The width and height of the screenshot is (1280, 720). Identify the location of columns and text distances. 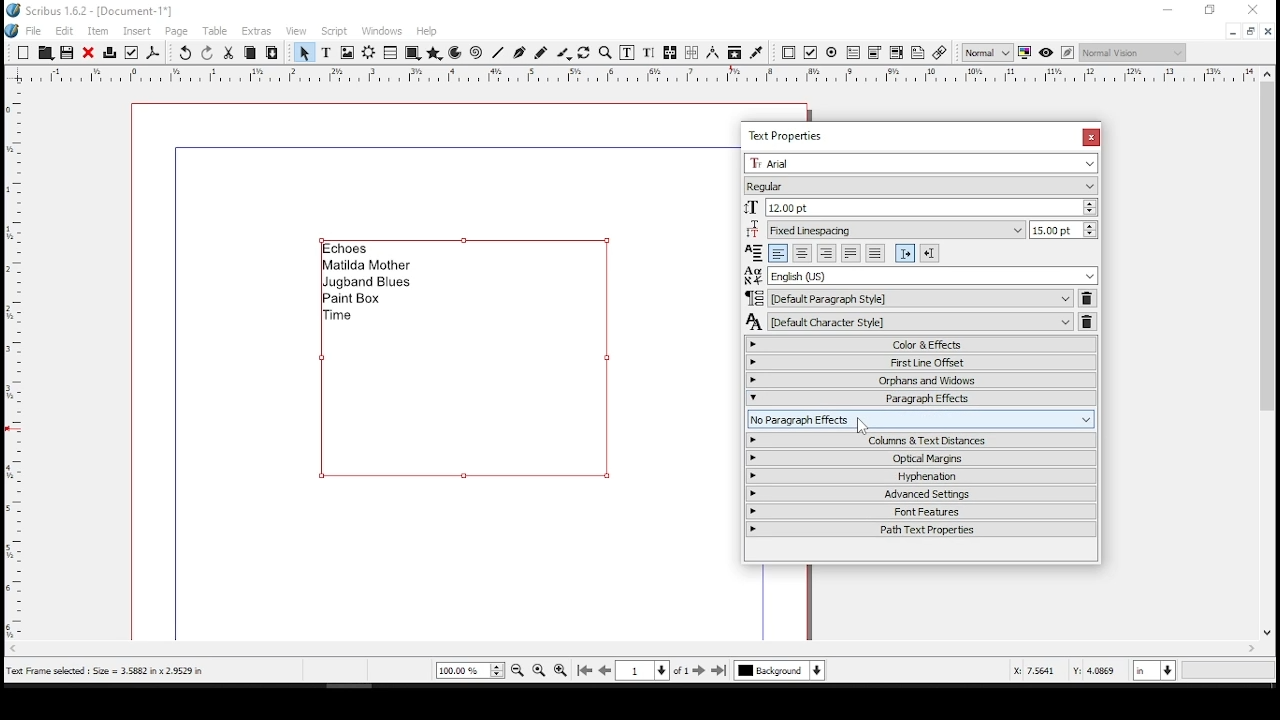
(921, 416).